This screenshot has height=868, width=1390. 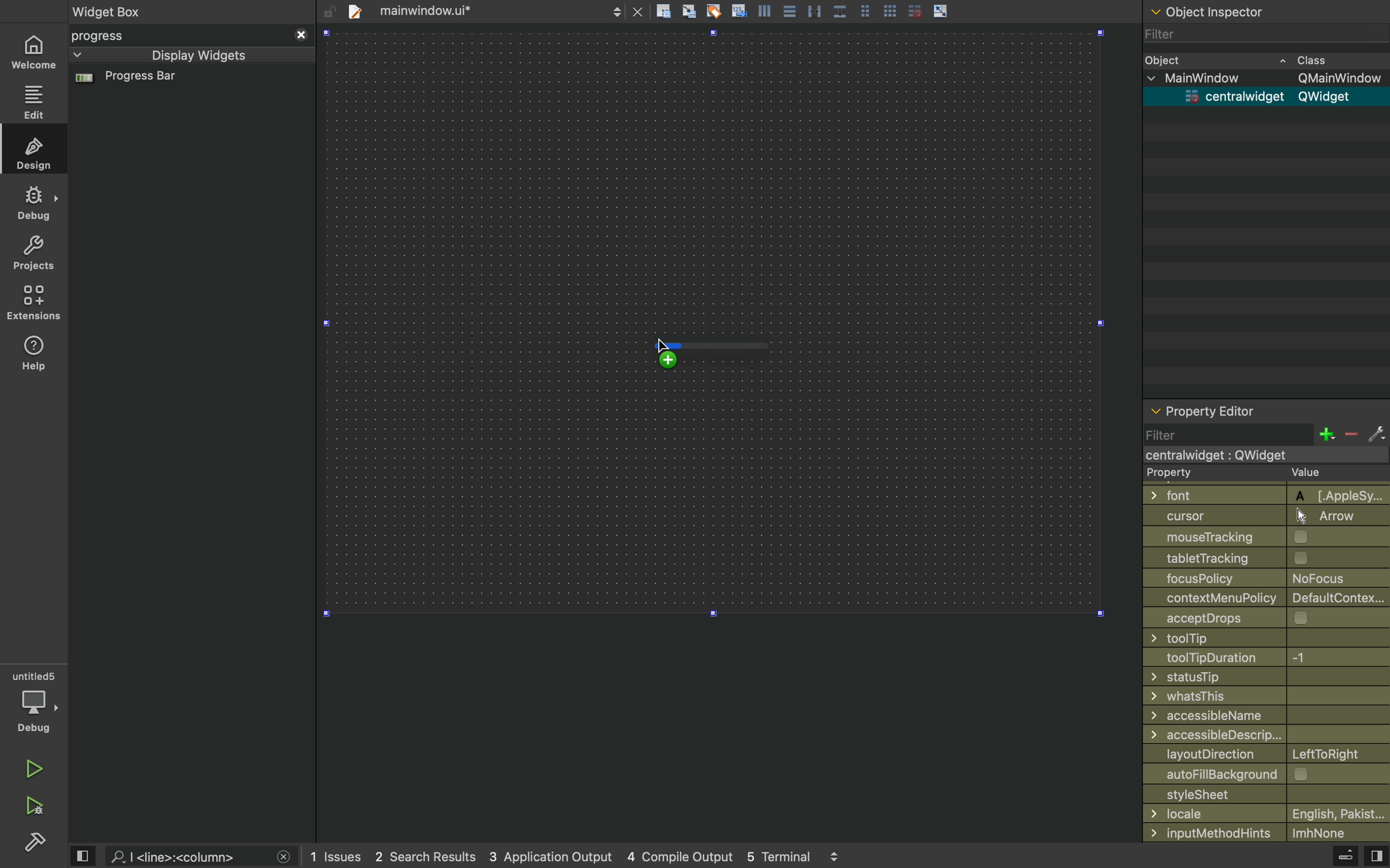 I want to click on run and build, so click(x=33, y=806).